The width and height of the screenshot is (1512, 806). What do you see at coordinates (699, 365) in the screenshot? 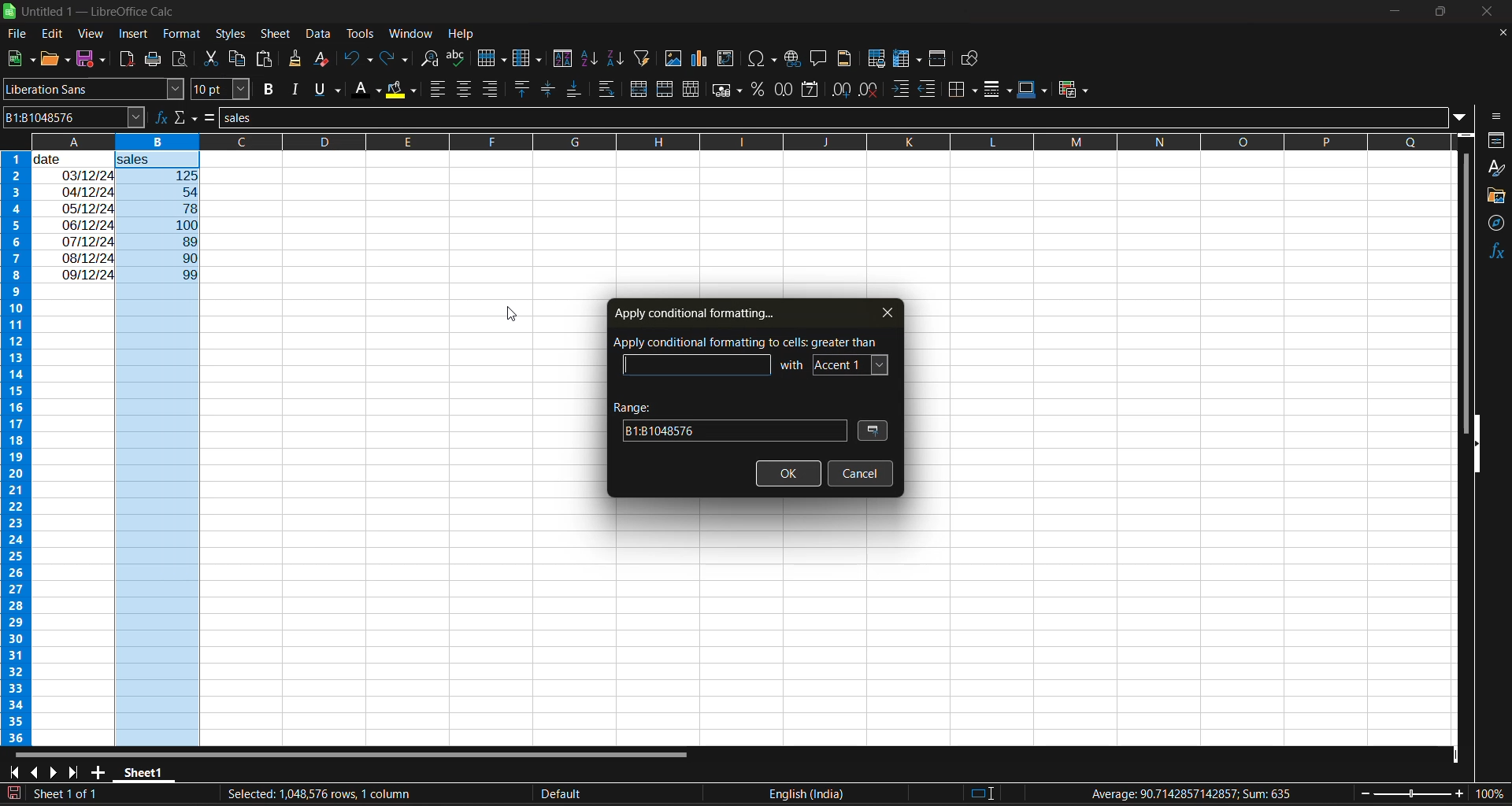
I see `input line` at bounding box center [699, 365].